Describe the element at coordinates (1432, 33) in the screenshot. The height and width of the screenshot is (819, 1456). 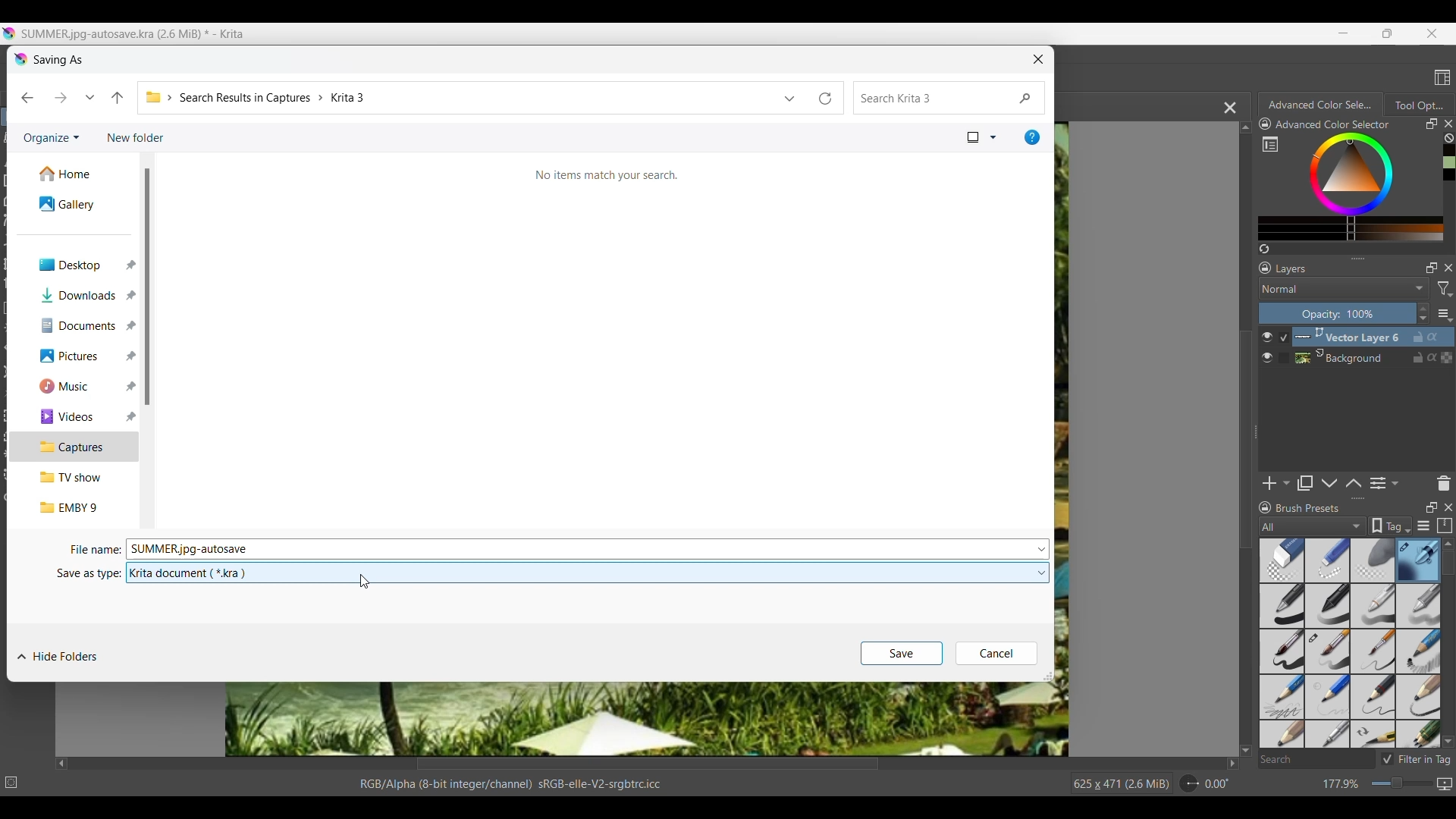
I see `Close interface` at that location.